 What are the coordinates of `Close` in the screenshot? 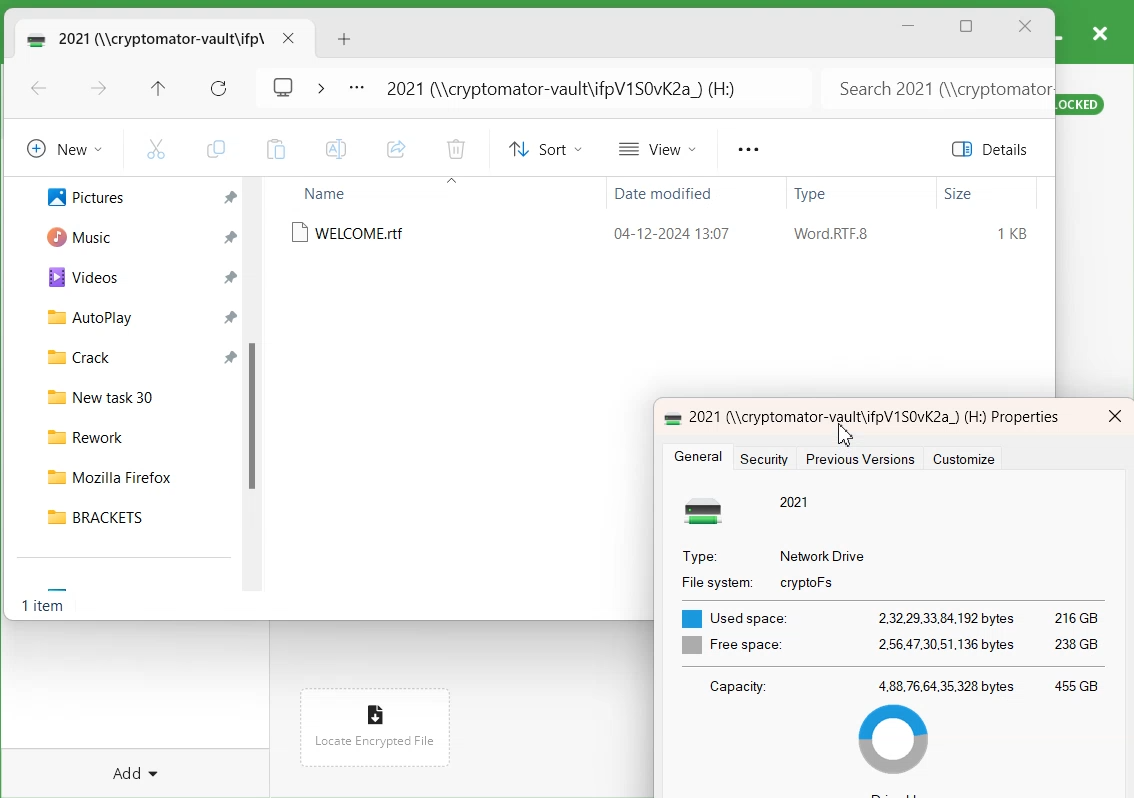 It's located at (1025, 27).